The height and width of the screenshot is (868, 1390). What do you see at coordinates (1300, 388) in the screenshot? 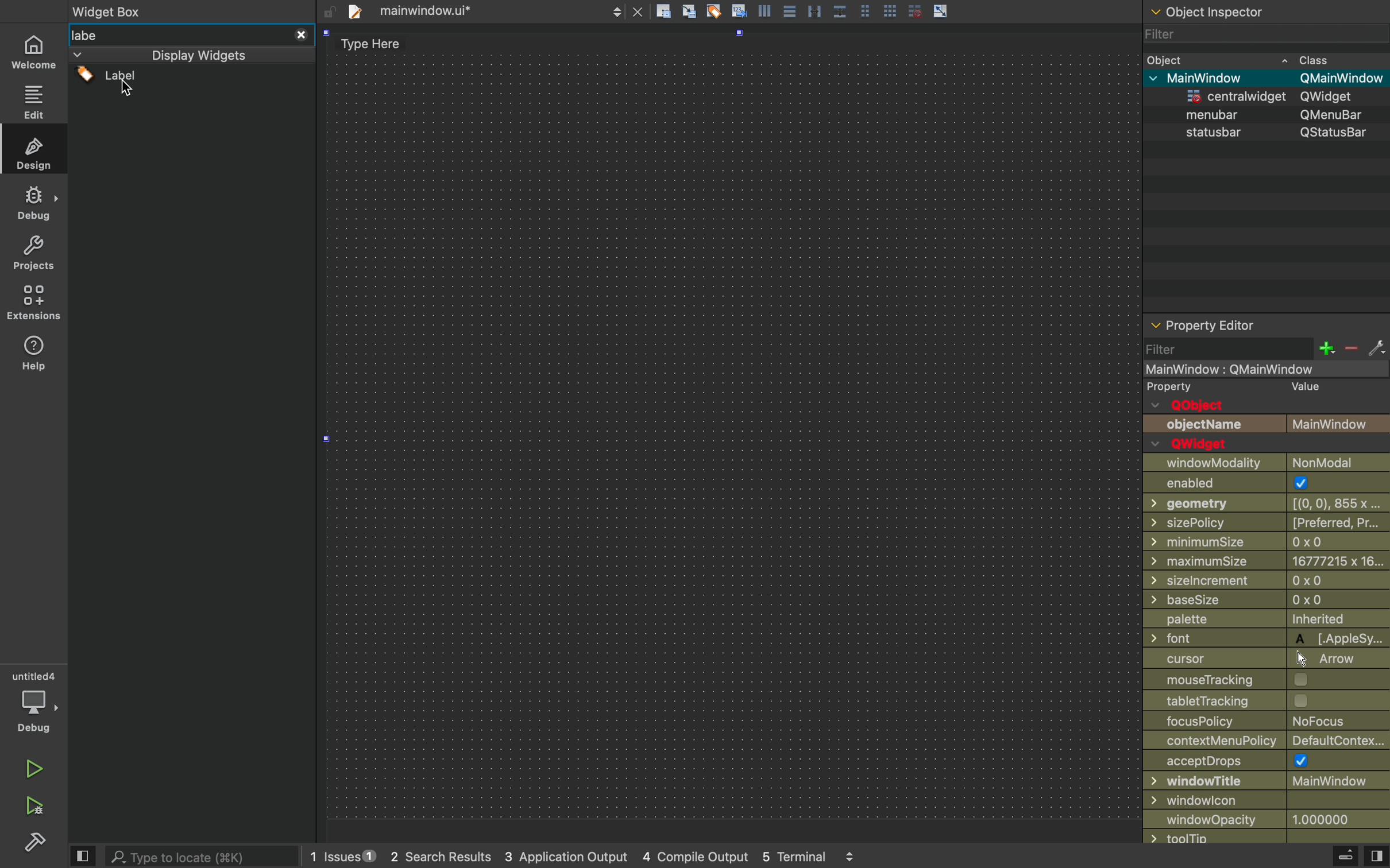
I see `value` at bounding box center [1300, 388].